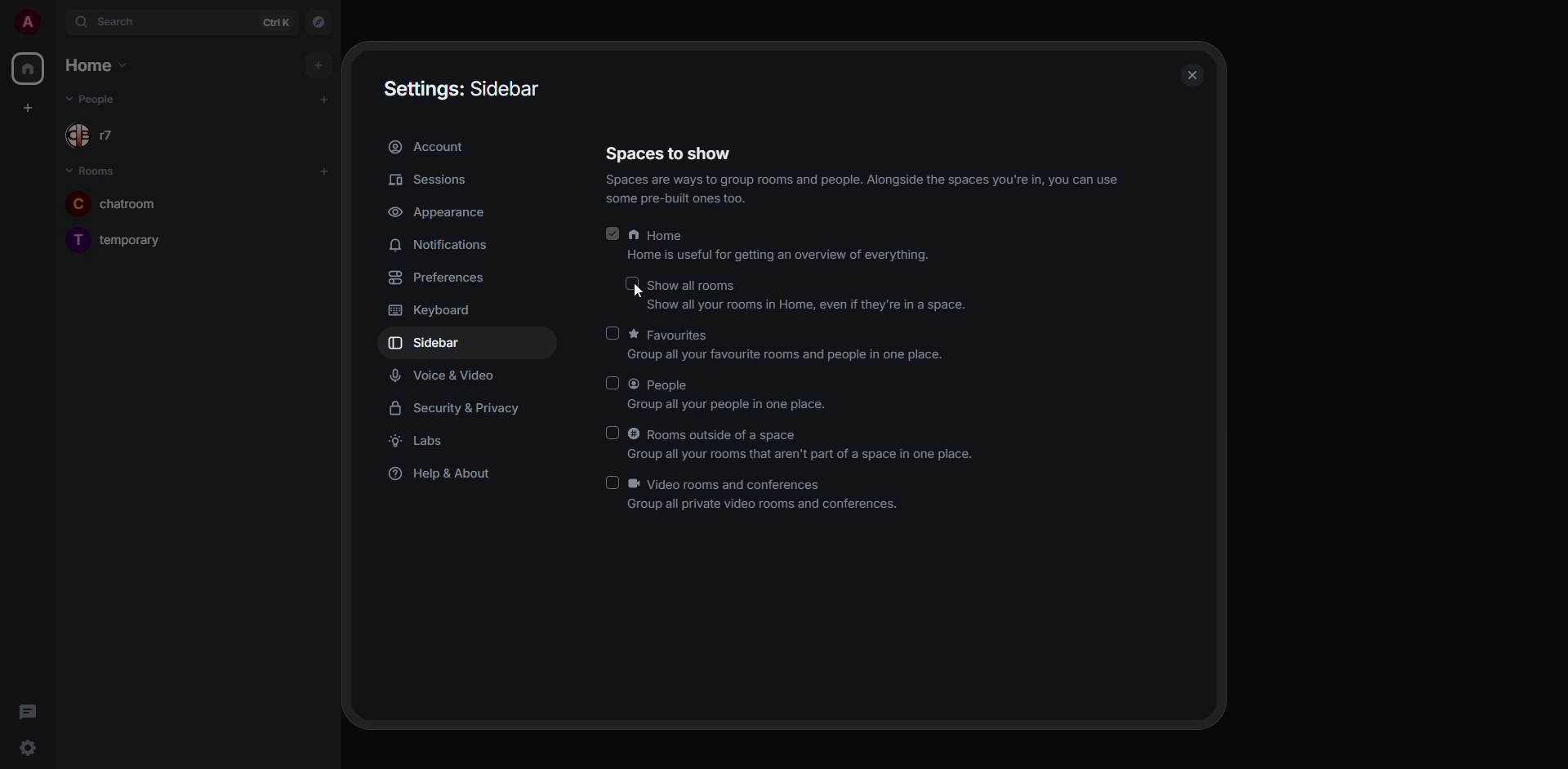 The width and height of the screenshot is (1568, 769). What do you see at coordinates (743, 393) in the screenshot?
I see `® People
Group all your people in one place.` at bounding box center [743, 393].